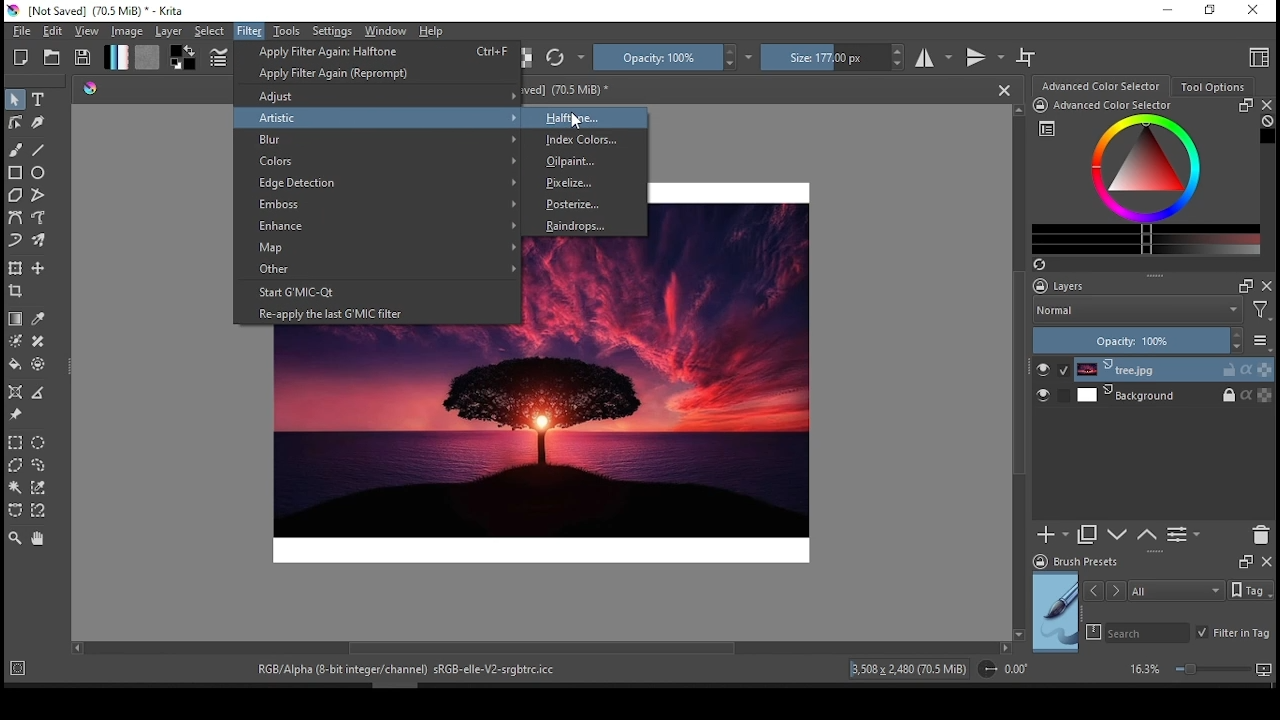  Describe the element at coordinates (1267, 287) in the screenshot. I see `close docker` at that location.